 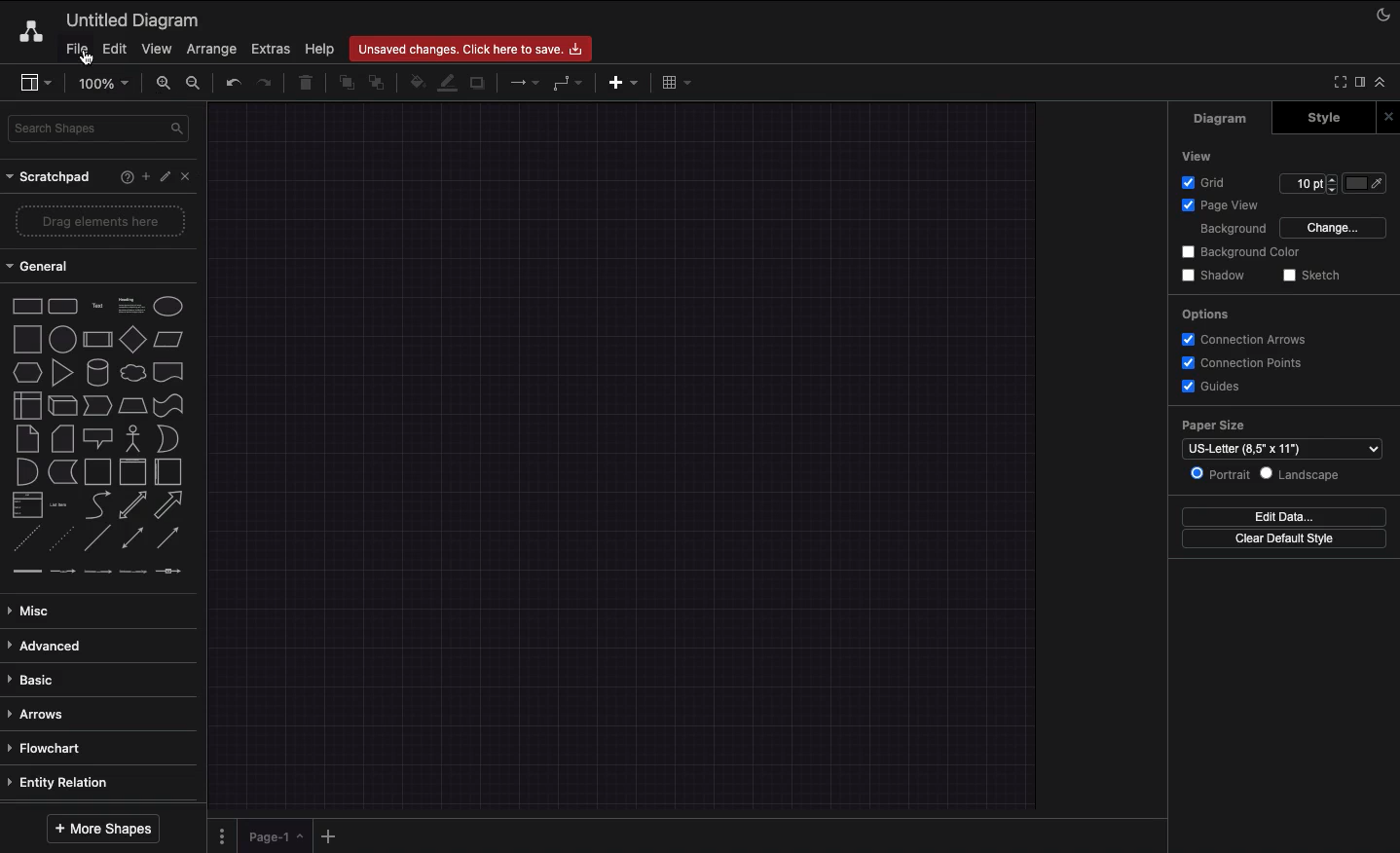 What do you see at coordinates (75, 49) in the screenshot?
I see `File` at bounding box center [75, 49].